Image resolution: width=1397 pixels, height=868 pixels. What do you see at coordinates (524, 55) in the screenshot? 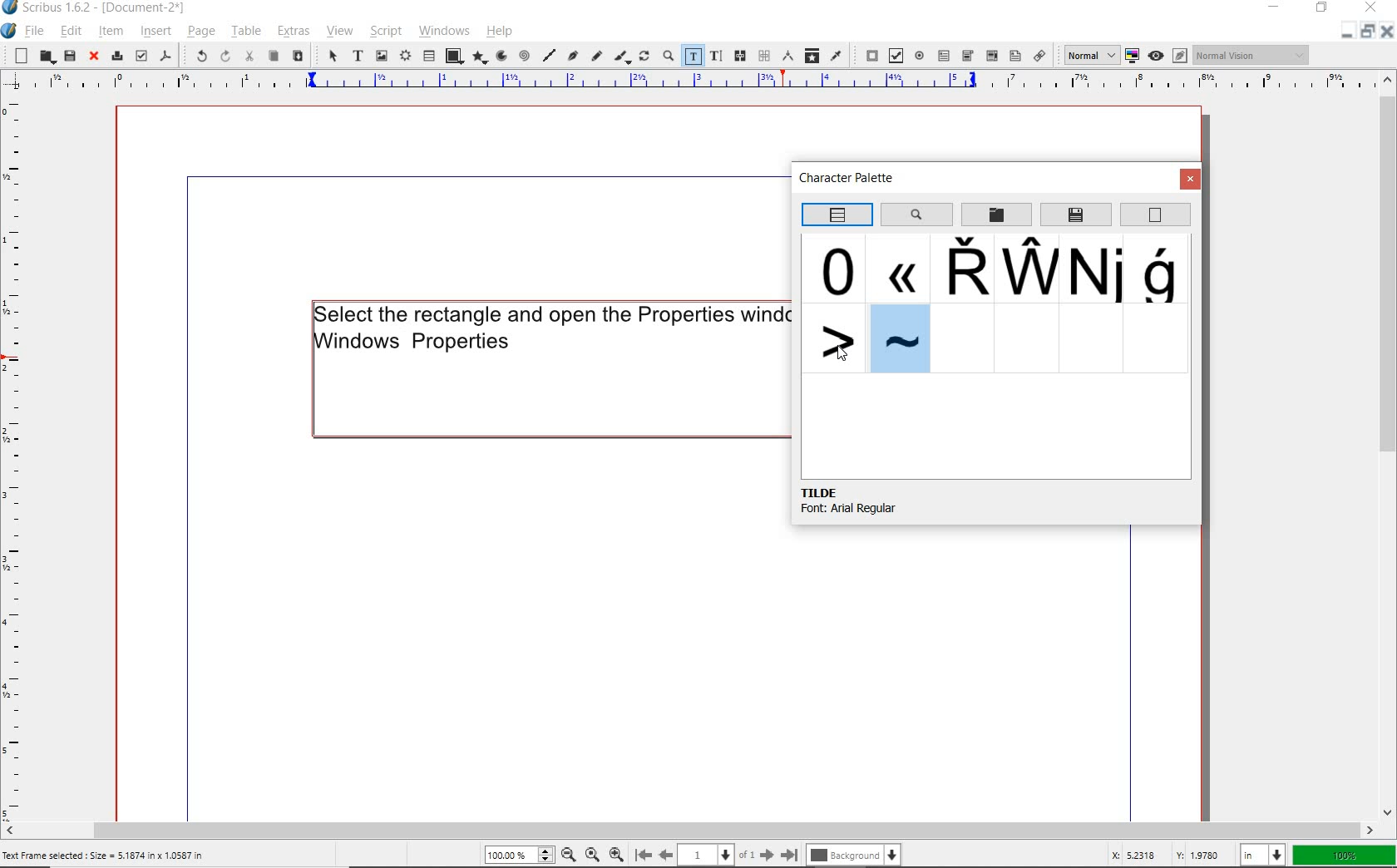
I see `spiral` at bounding box center [524, 55].